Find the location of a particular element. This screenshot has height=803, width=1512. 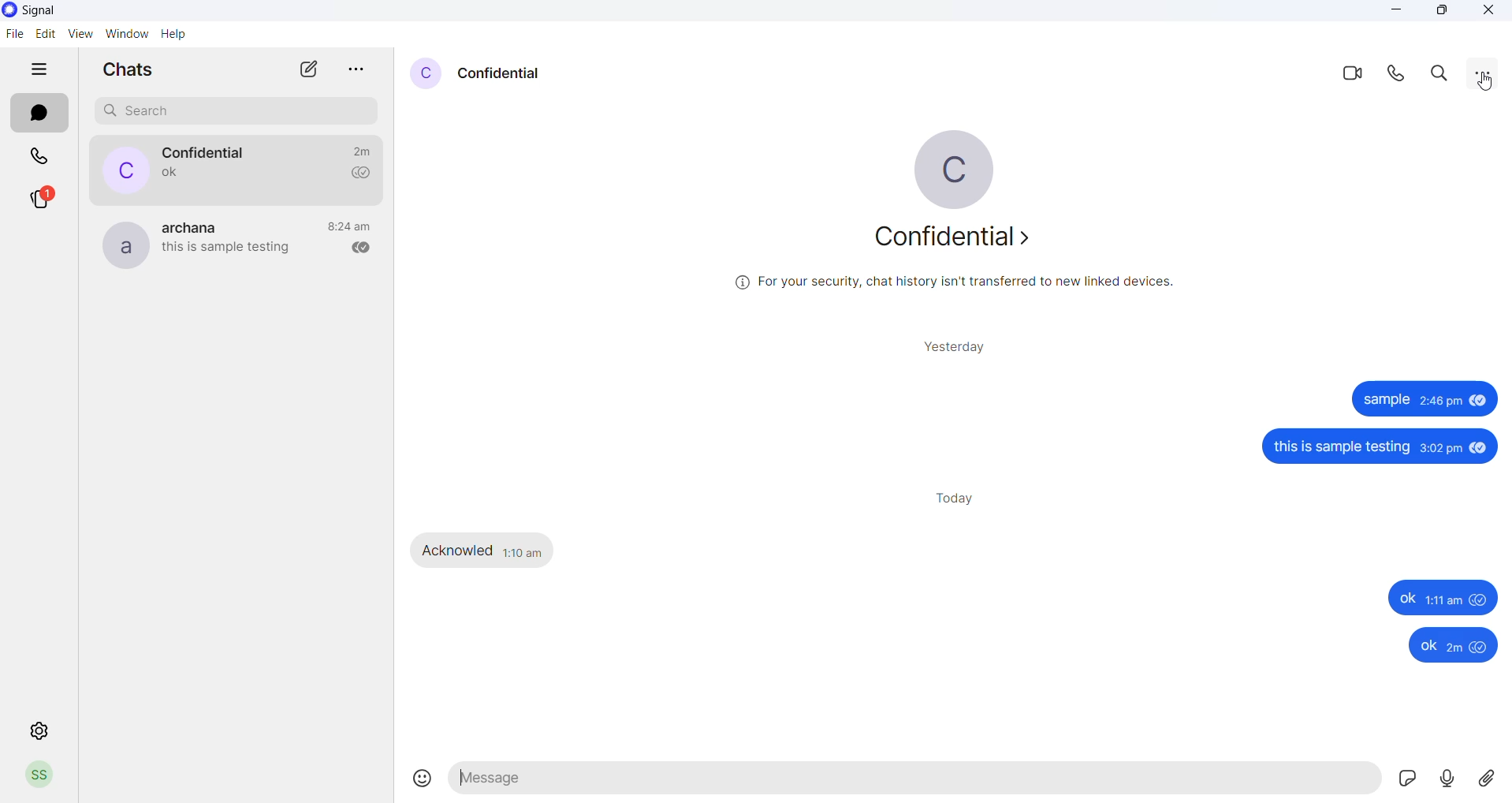

more options is located at coordinates (1488, 73).